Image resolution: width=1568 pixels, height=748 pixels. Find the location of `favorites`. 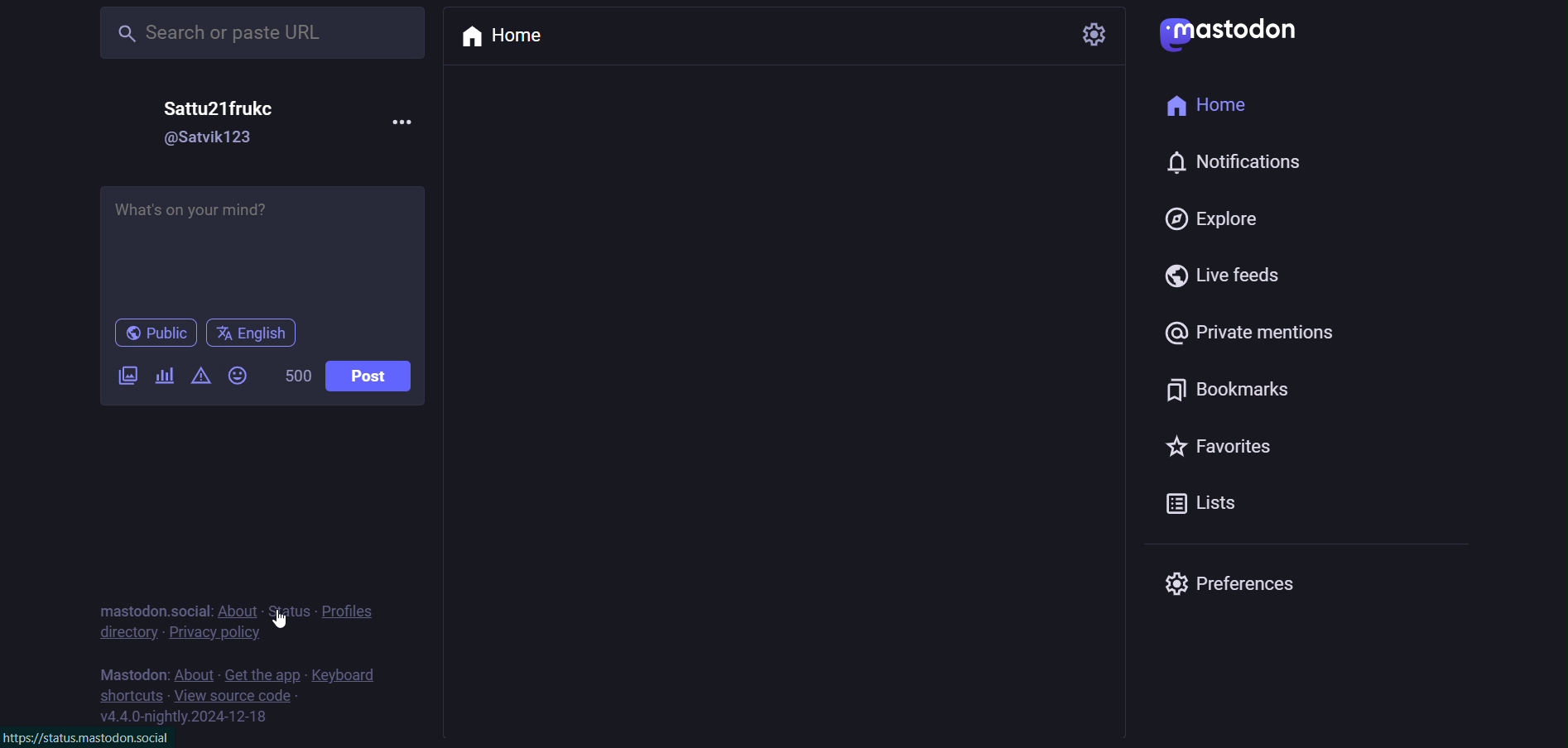

favorites is located at coordinates (1213, 446).